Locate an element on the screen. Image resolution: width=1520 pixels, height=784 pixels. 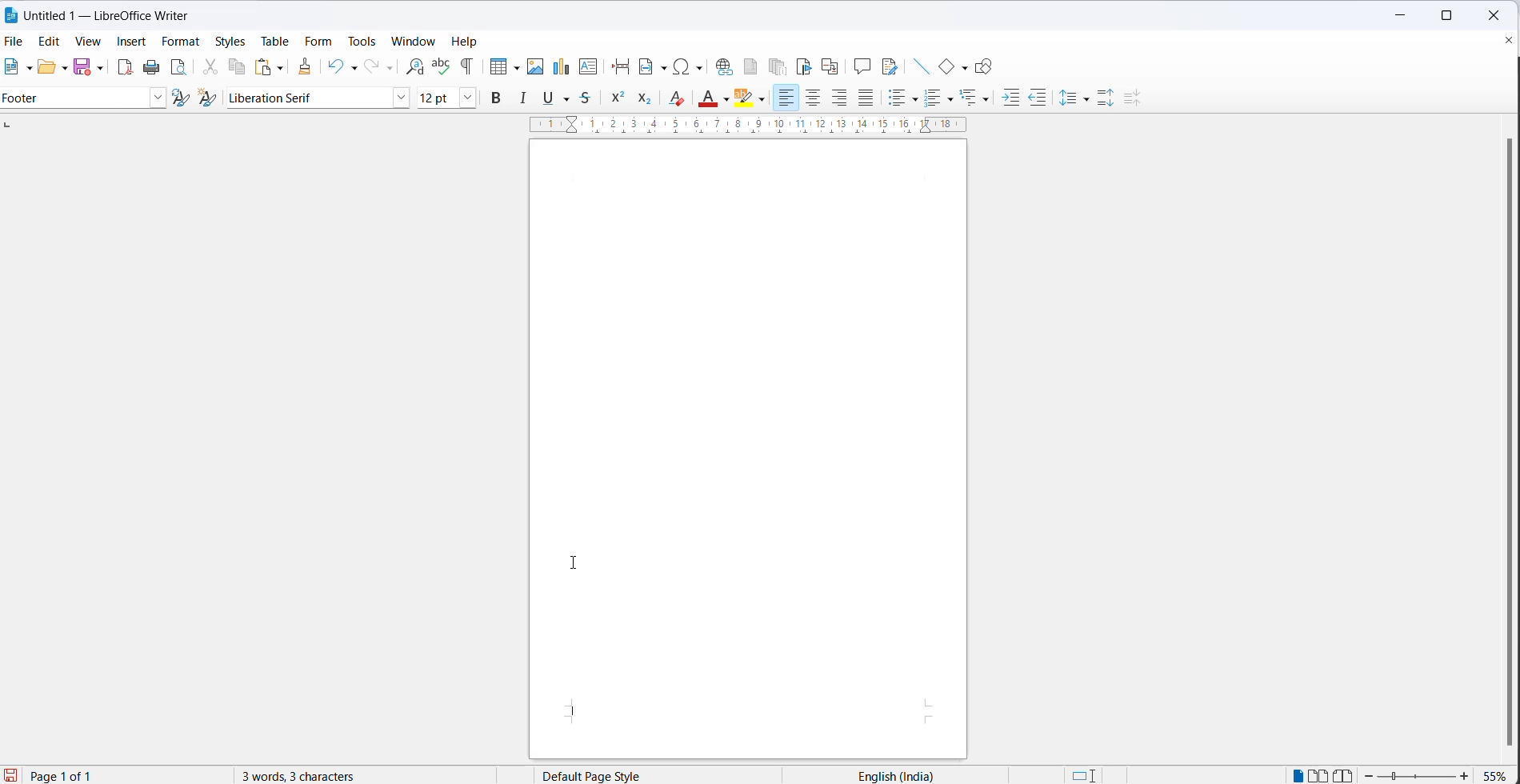
open is located at coordinates (44, 68).